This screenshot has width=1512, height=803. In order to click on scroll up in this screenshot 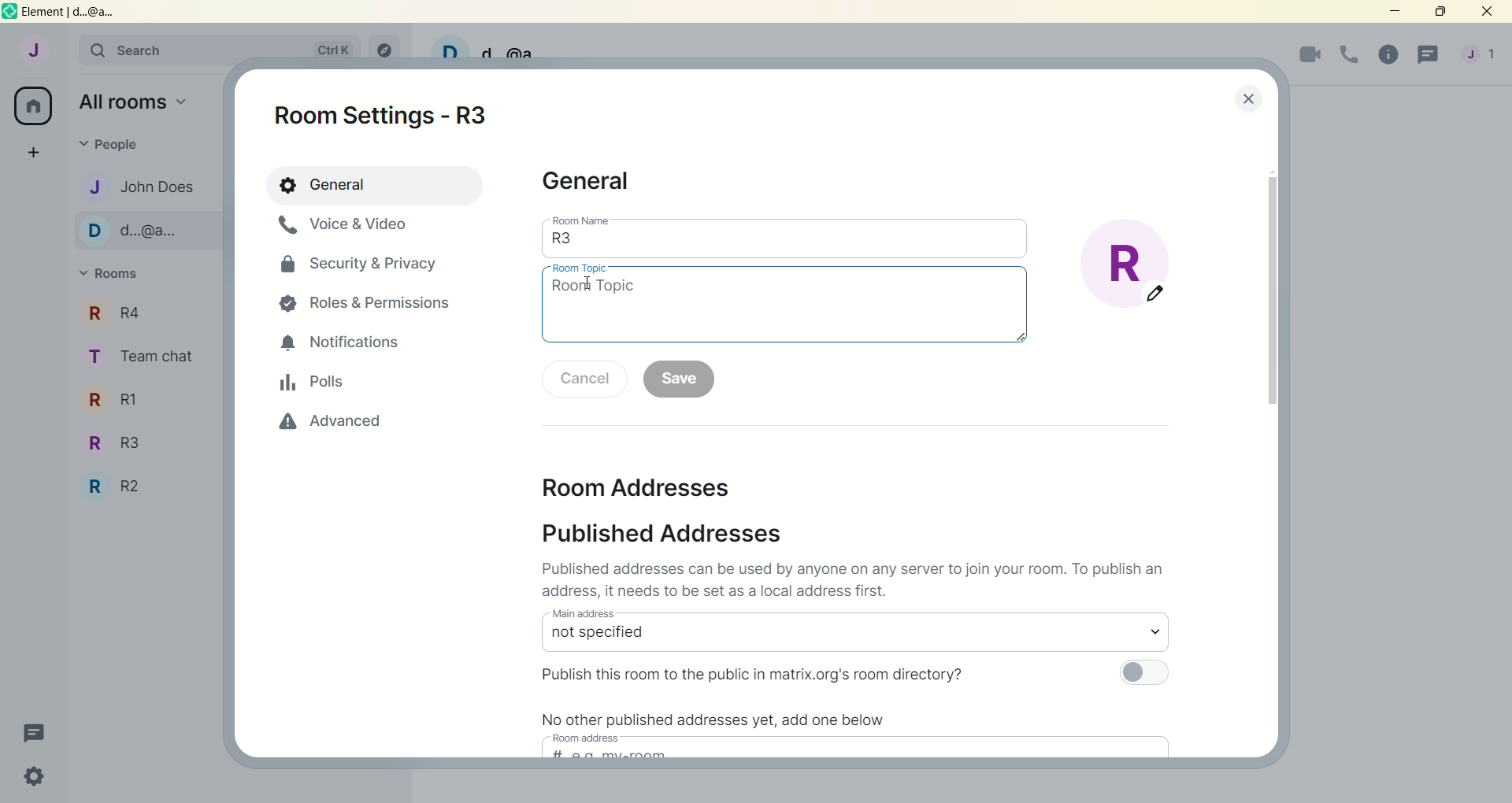, I will do `click(1271, 170)`.